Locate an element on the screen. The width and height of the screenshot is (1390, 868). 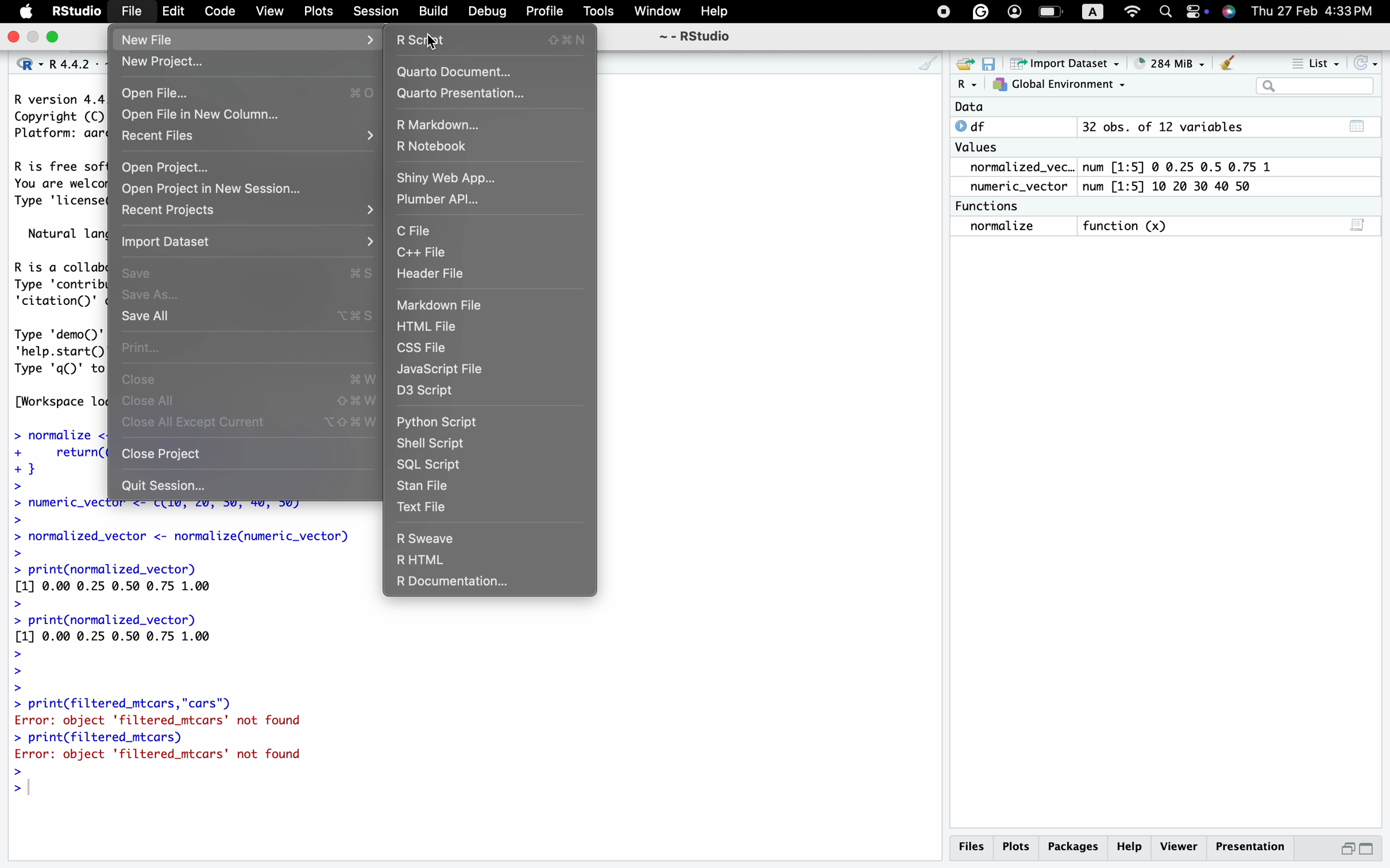
help is located at coordinates (1132, 846).